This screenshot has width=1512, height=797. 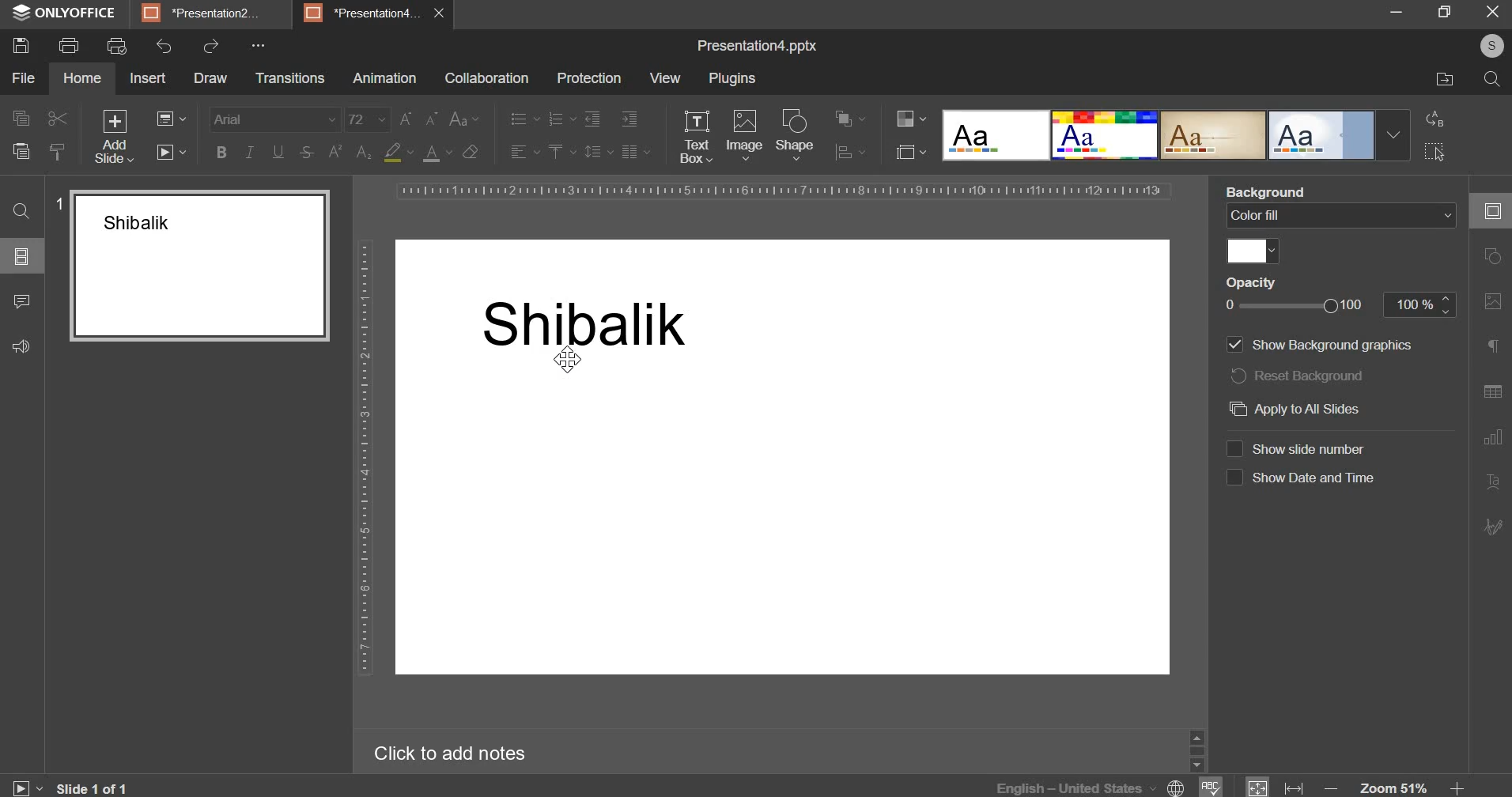 I want to click on fill color, so click(x=398, y=152).